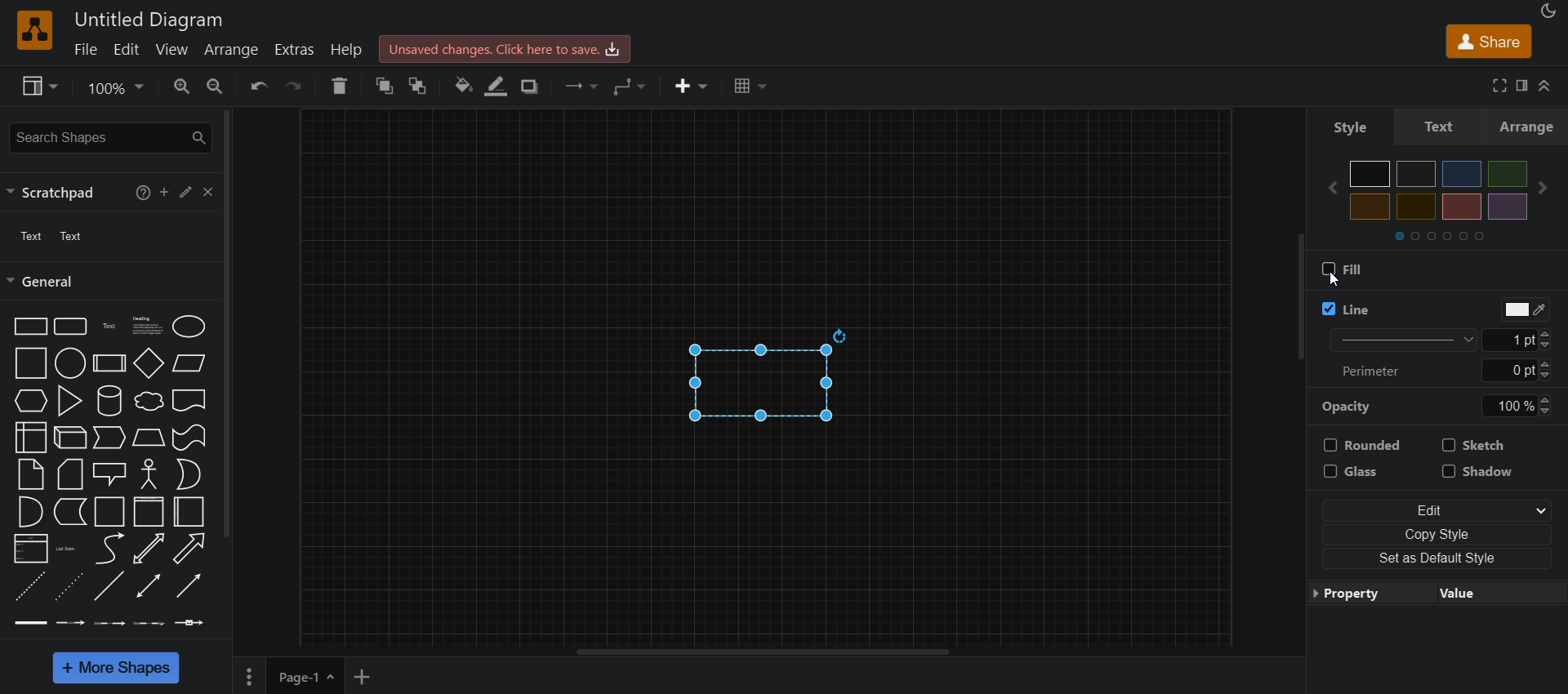 Image resolution: width=1568 pixels, height=694 pixels. What do you see at coordinates (188, 476) in the screenshot?
I see `or` at bounding box center [188, 476].